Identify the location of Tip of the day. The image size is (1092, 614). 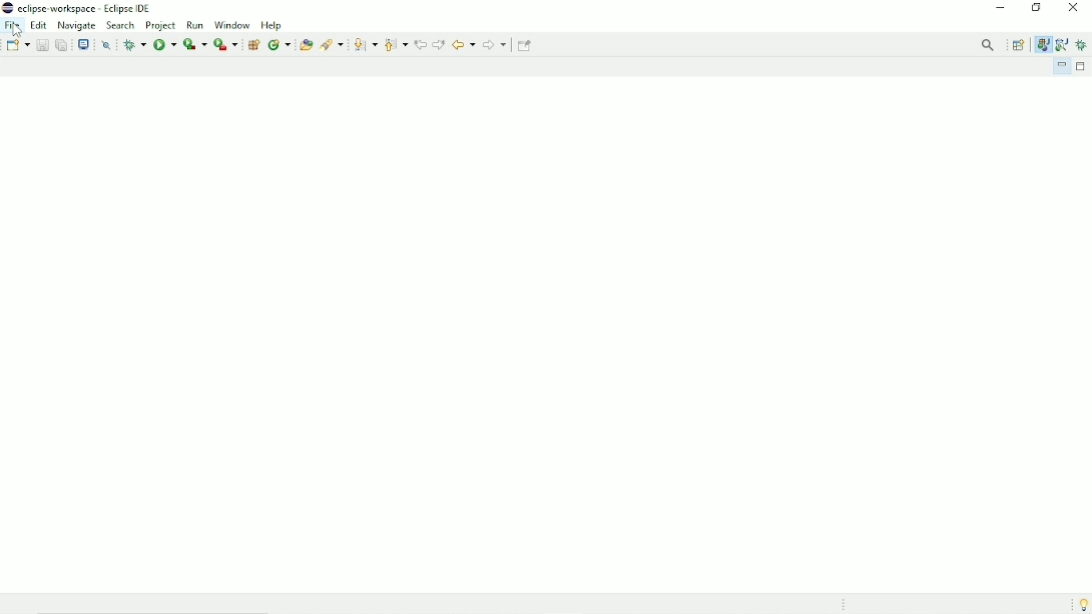
(1078, 604).